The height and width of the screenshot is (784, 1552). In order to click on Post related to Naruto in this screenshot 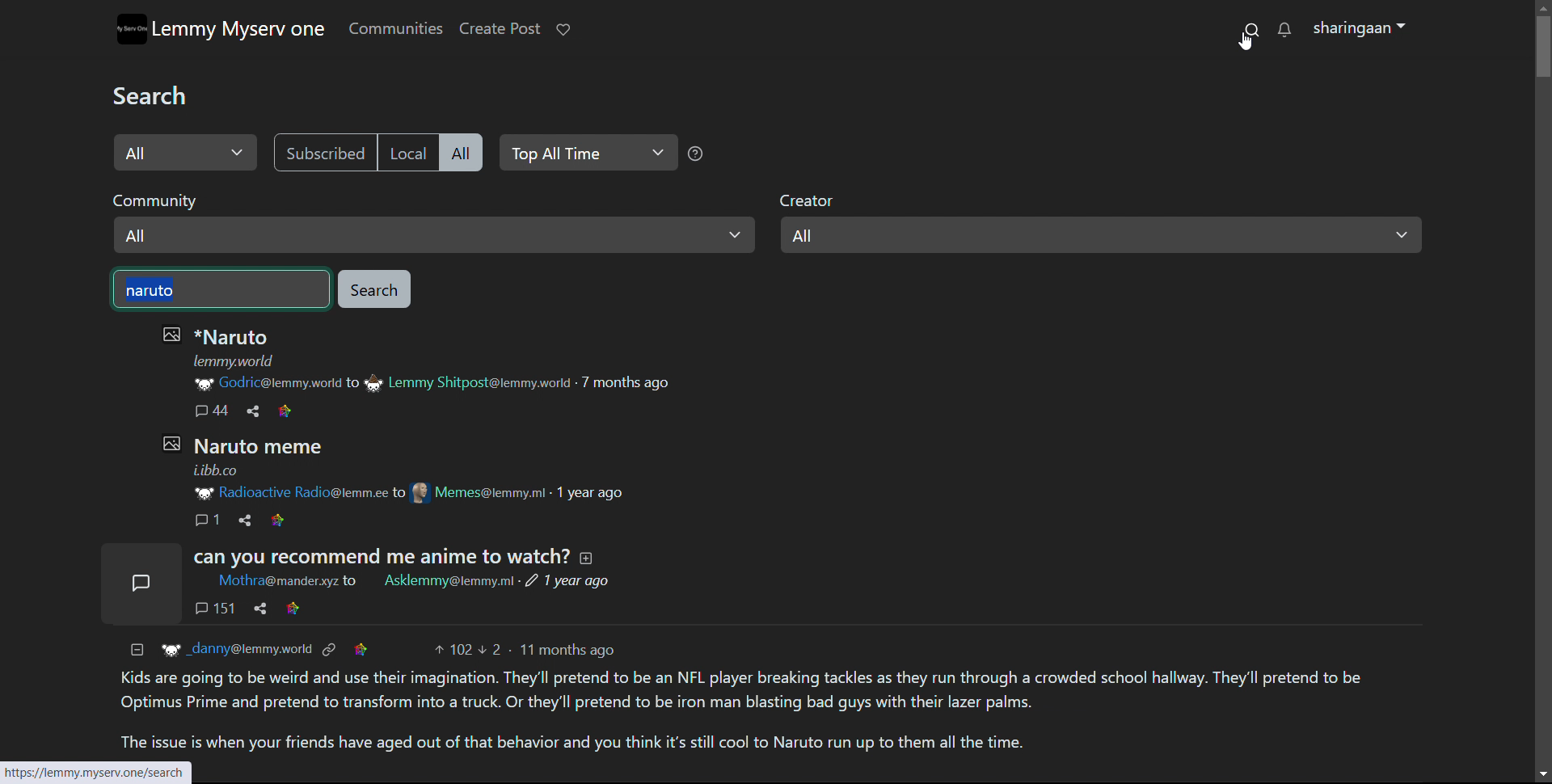, I will do `click(411, 477)`.